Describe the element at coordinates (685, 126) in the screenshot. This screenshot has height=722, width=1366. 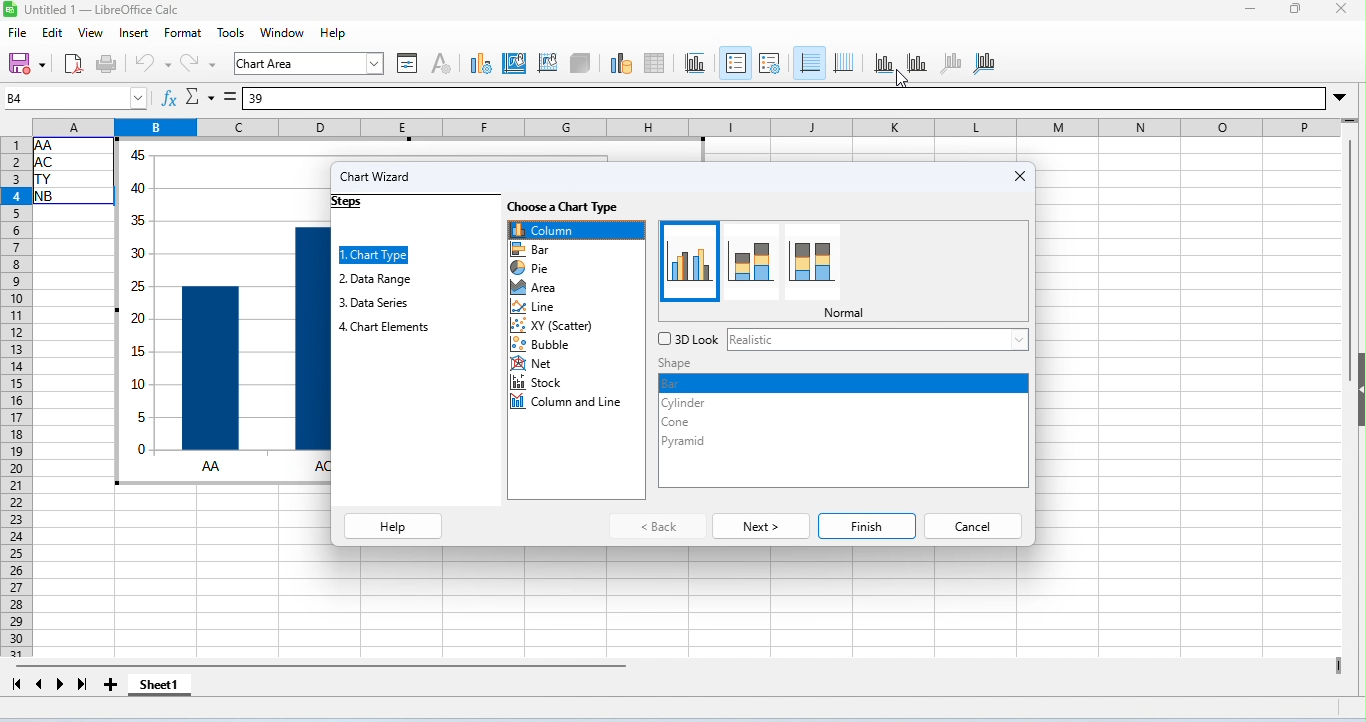
I see `column headings` at that location.